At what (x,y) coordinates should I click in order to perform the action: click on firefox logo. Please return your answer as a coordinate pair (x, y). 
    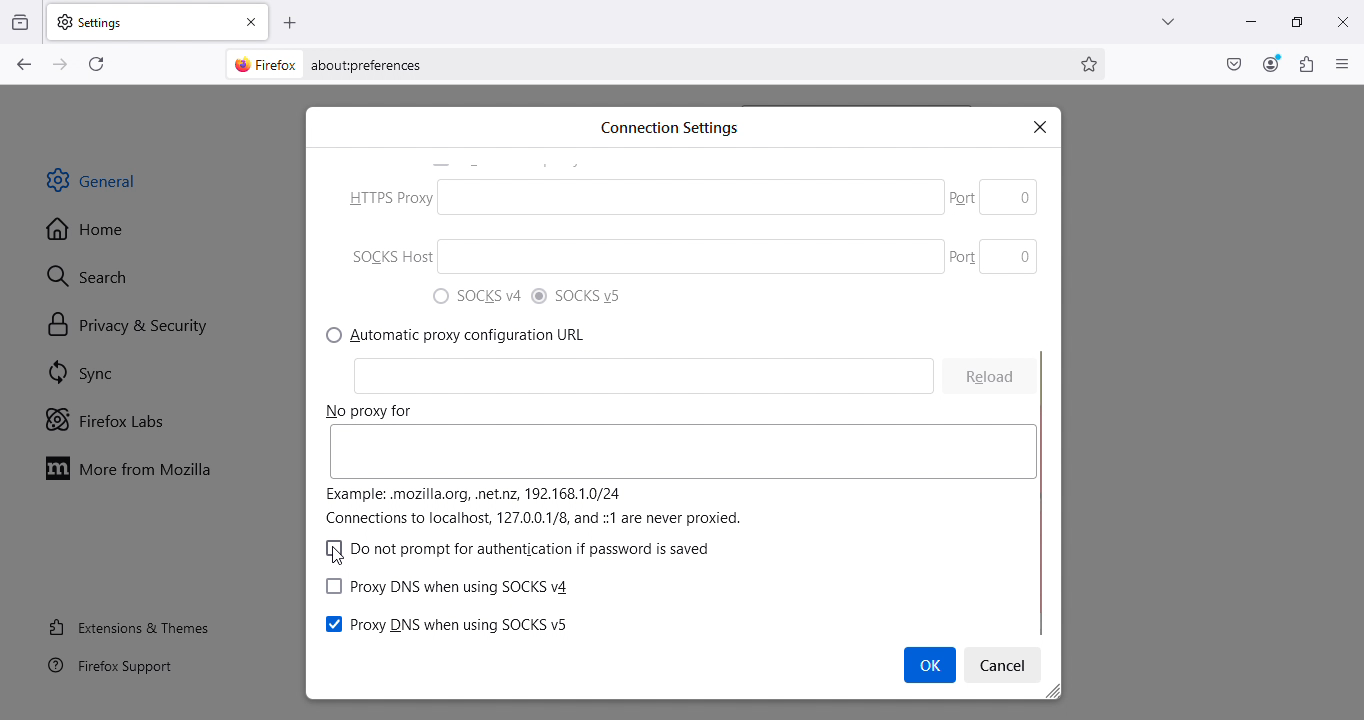
    Looking at the image, I should click on (260, 64).